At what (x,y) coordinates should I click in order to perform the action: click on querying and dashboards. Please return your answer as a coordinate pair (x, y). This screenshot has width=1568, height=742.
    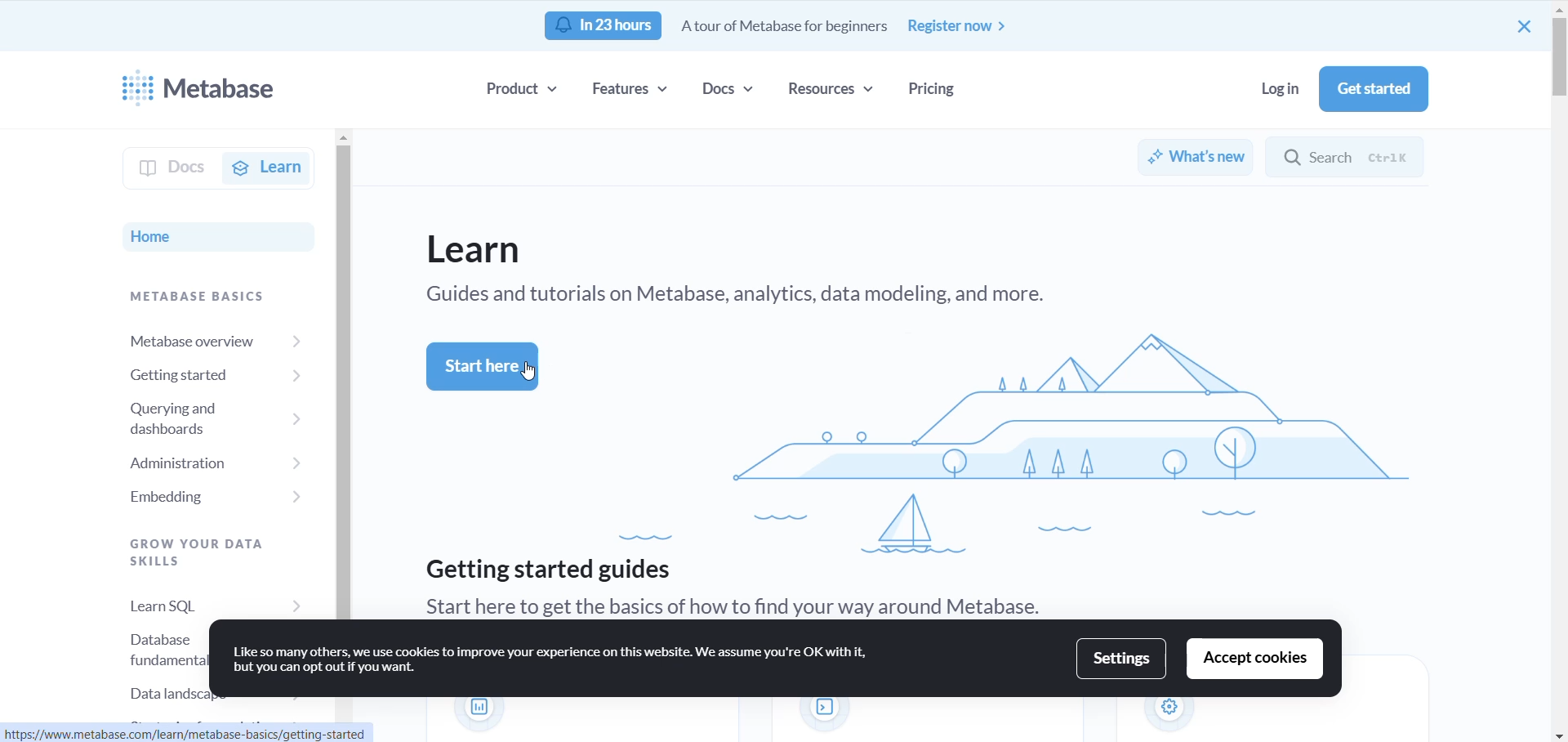
    Looking at the image, I should click on (194, 415).